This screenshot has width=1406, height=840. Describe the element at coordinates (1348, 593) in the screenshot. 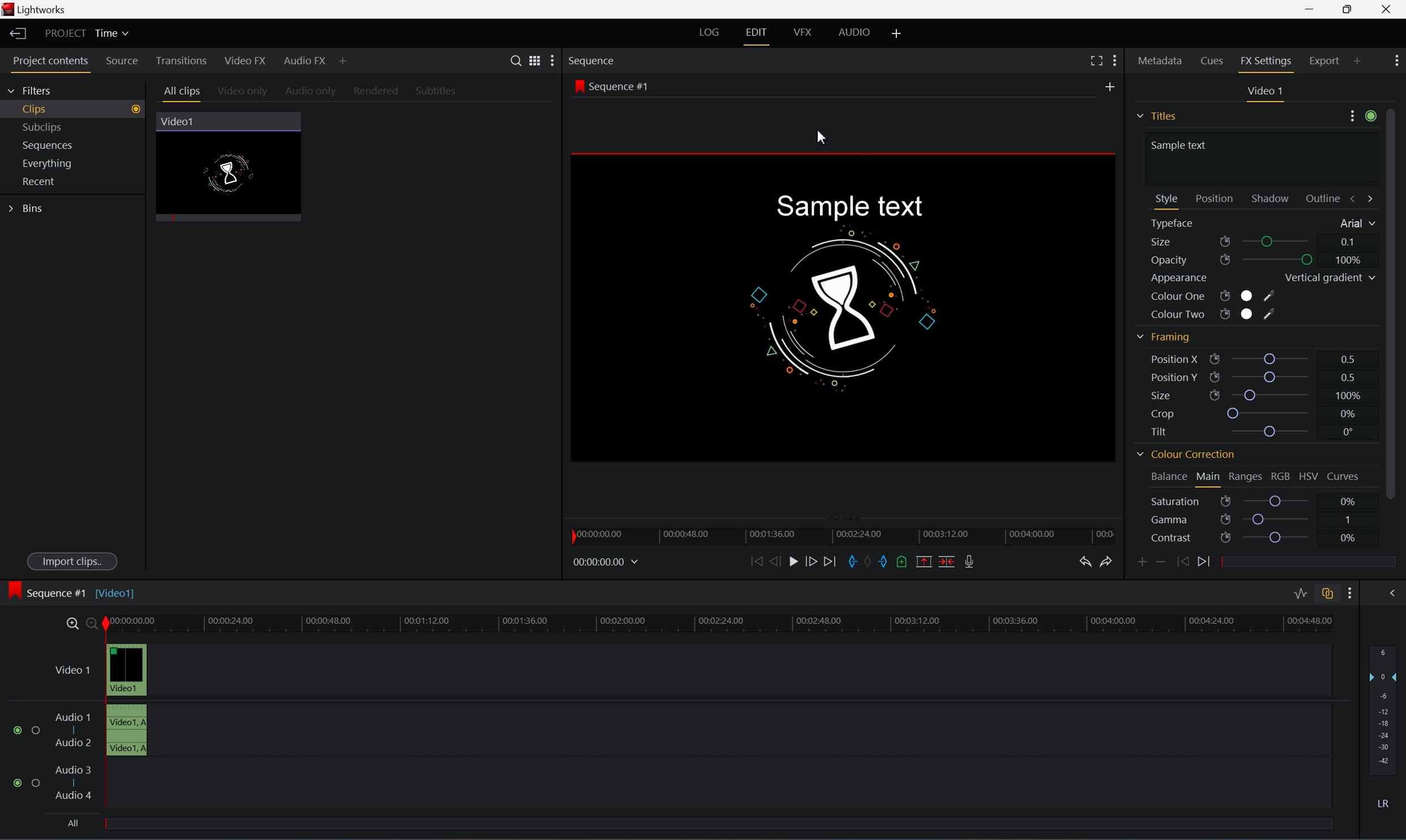

I see `show settings menu` at that location.